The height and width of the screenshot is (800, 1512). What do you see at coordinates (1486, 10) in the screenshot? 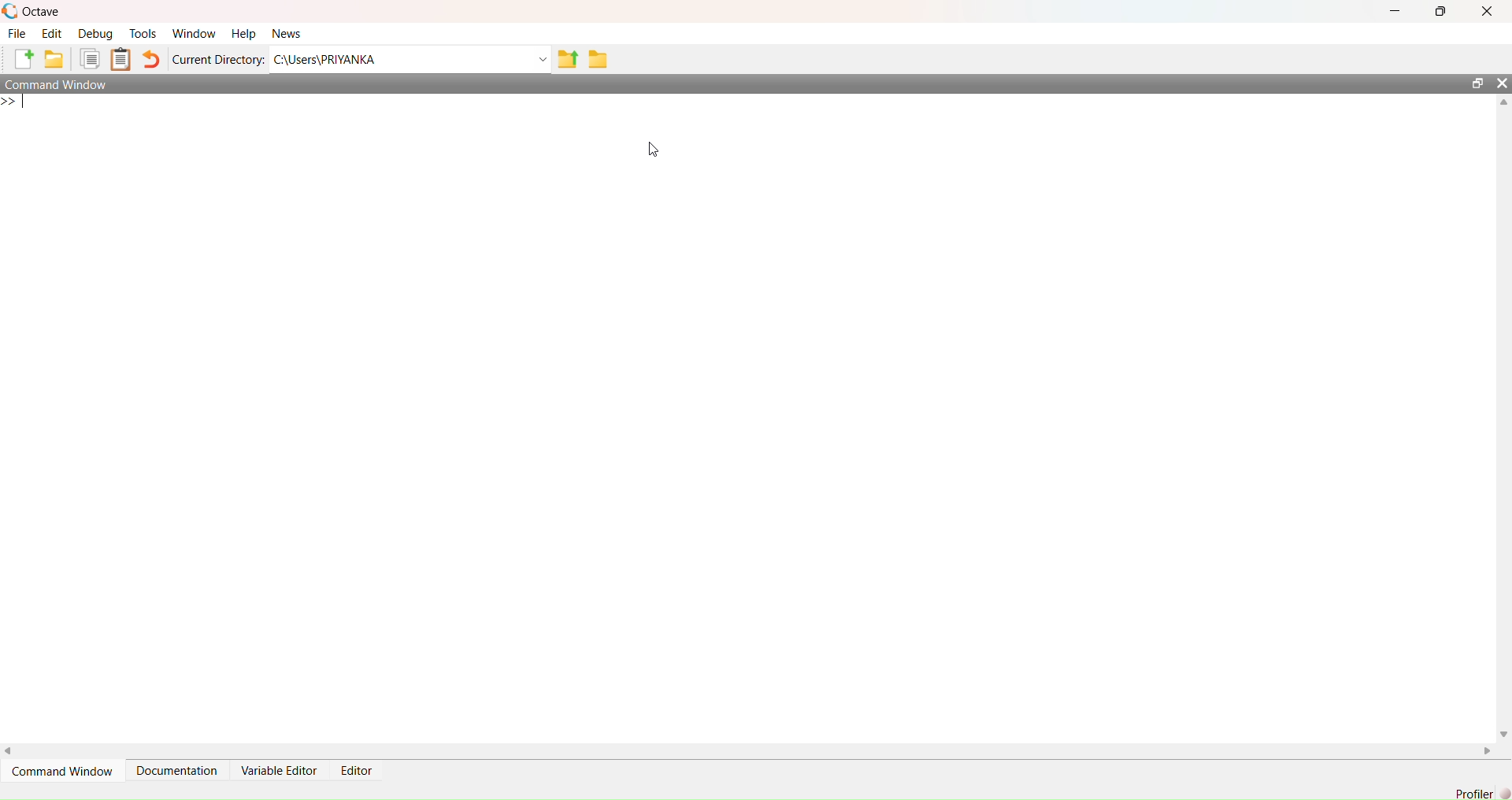
I see `close` at bounding box center [1486, 10].